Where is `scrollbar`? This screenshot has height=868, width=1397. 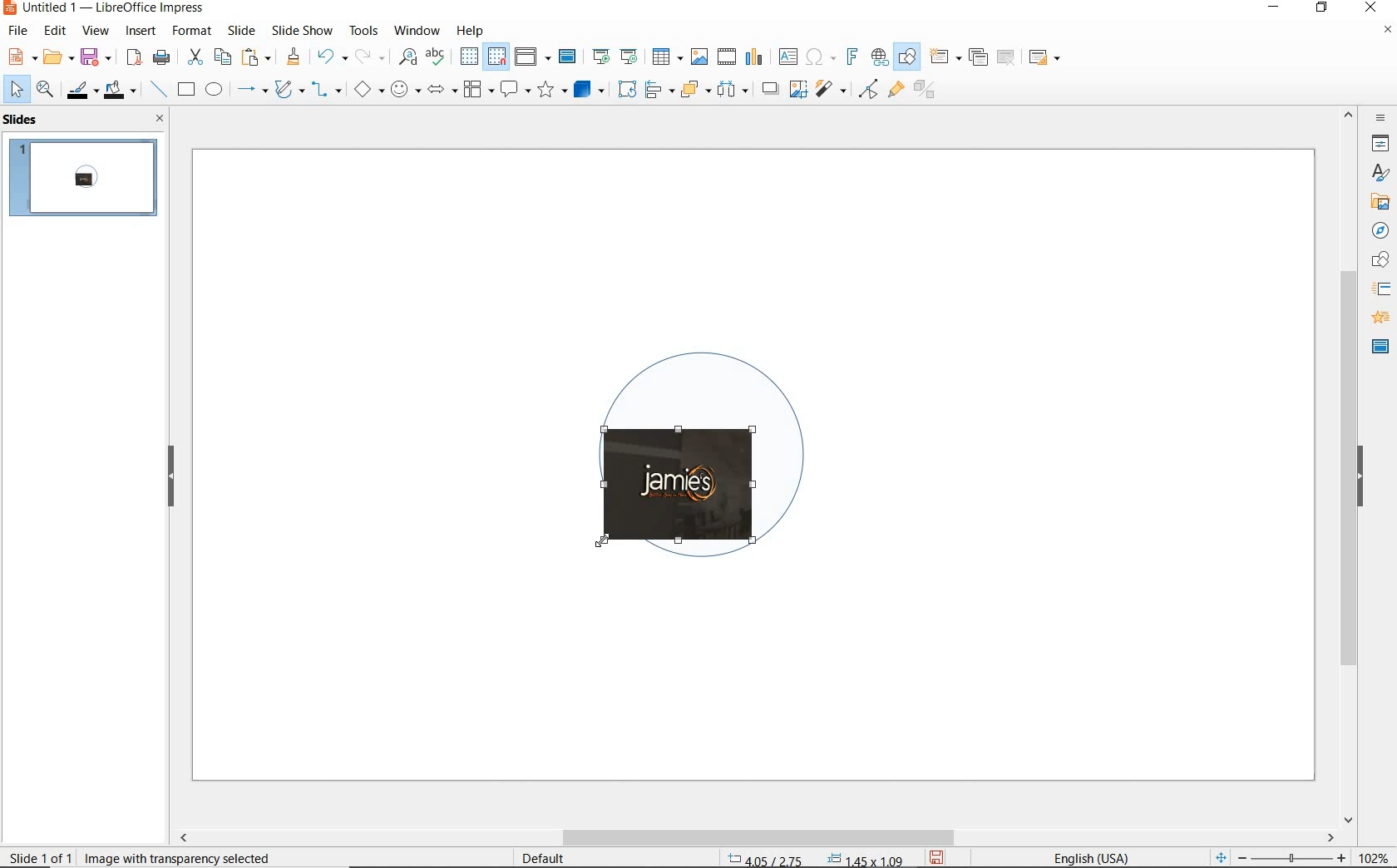
scrollbar is located at coordinates (755, 837).